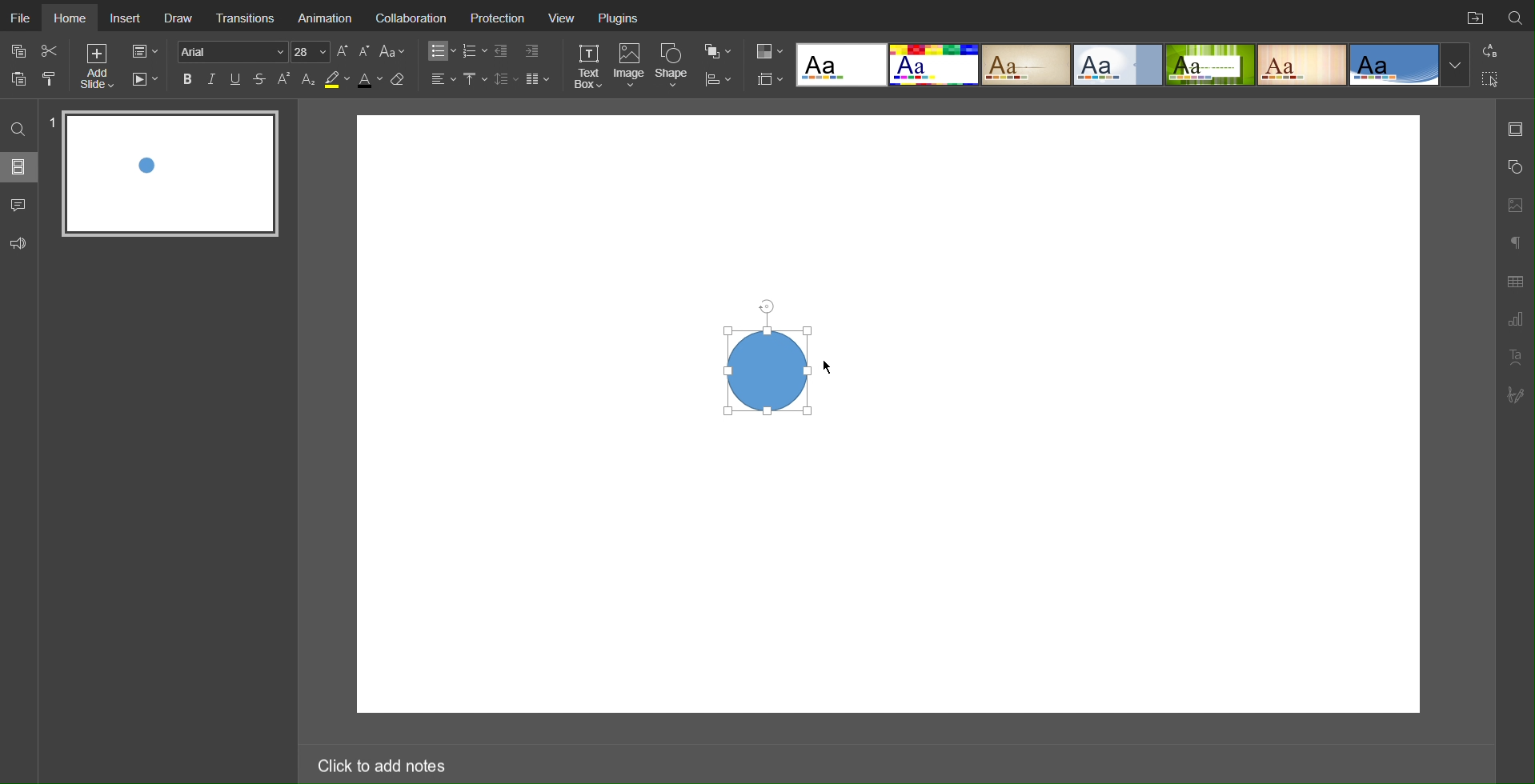  What do you see at coordinates (765, 369) in the screenshot?
I see `Circle` at bounding box center [765, 369].